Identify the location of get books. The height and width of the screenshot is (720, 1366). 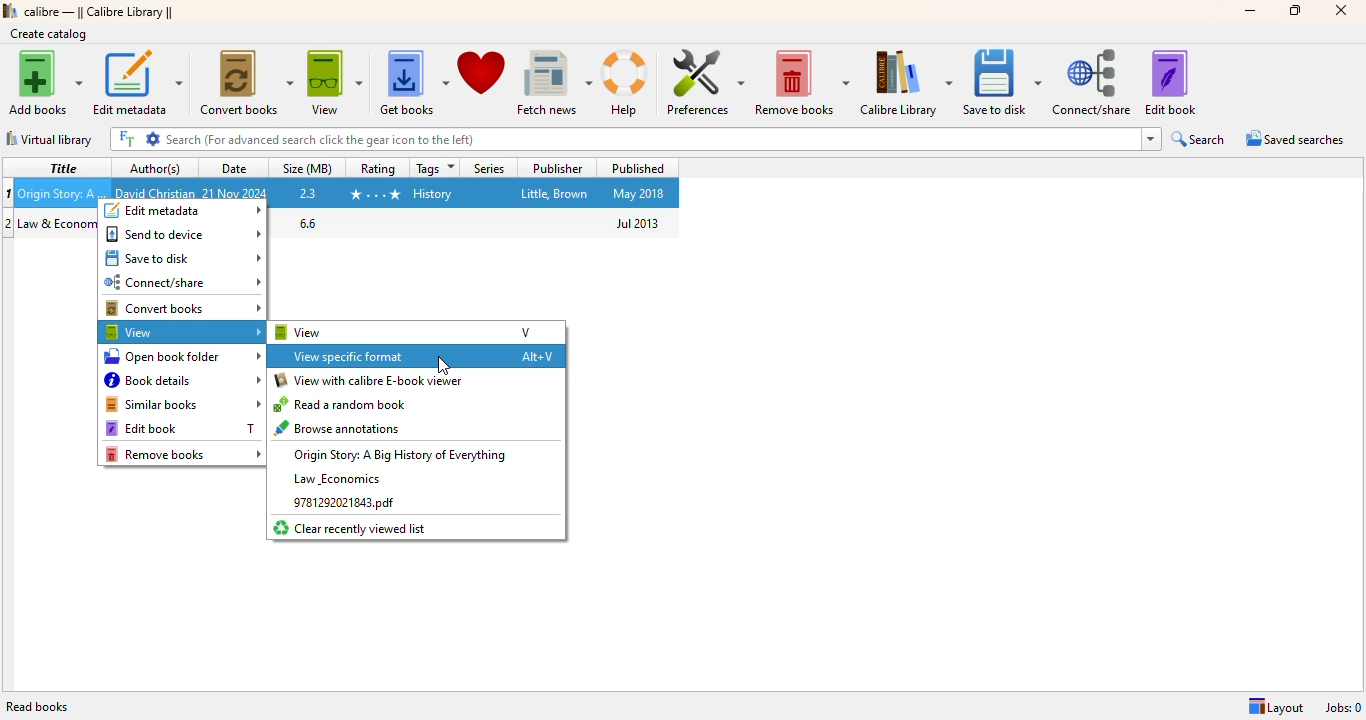
(414, 84).